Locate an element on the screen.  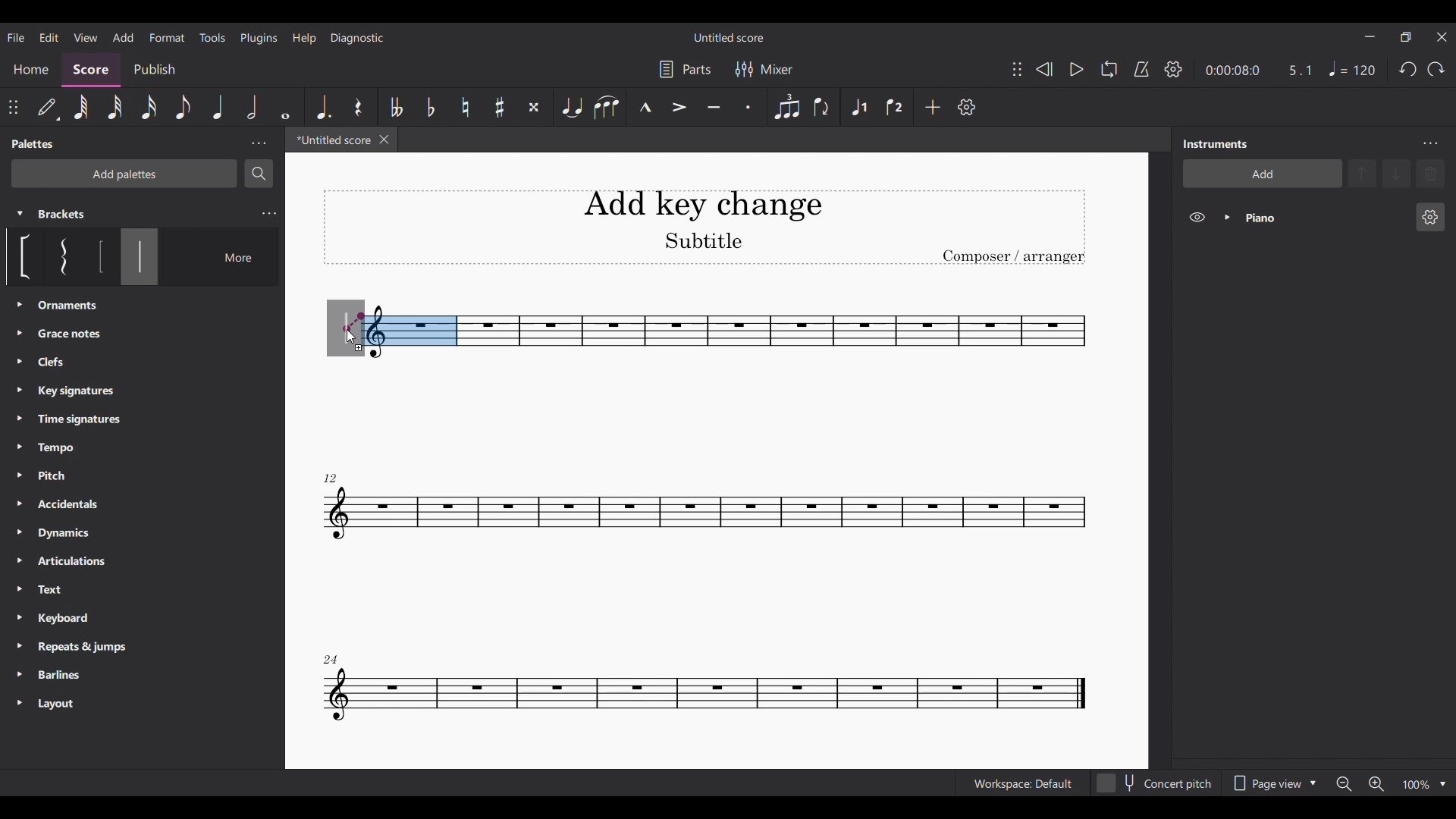
Close interface is located at coordinates (1441, 37).